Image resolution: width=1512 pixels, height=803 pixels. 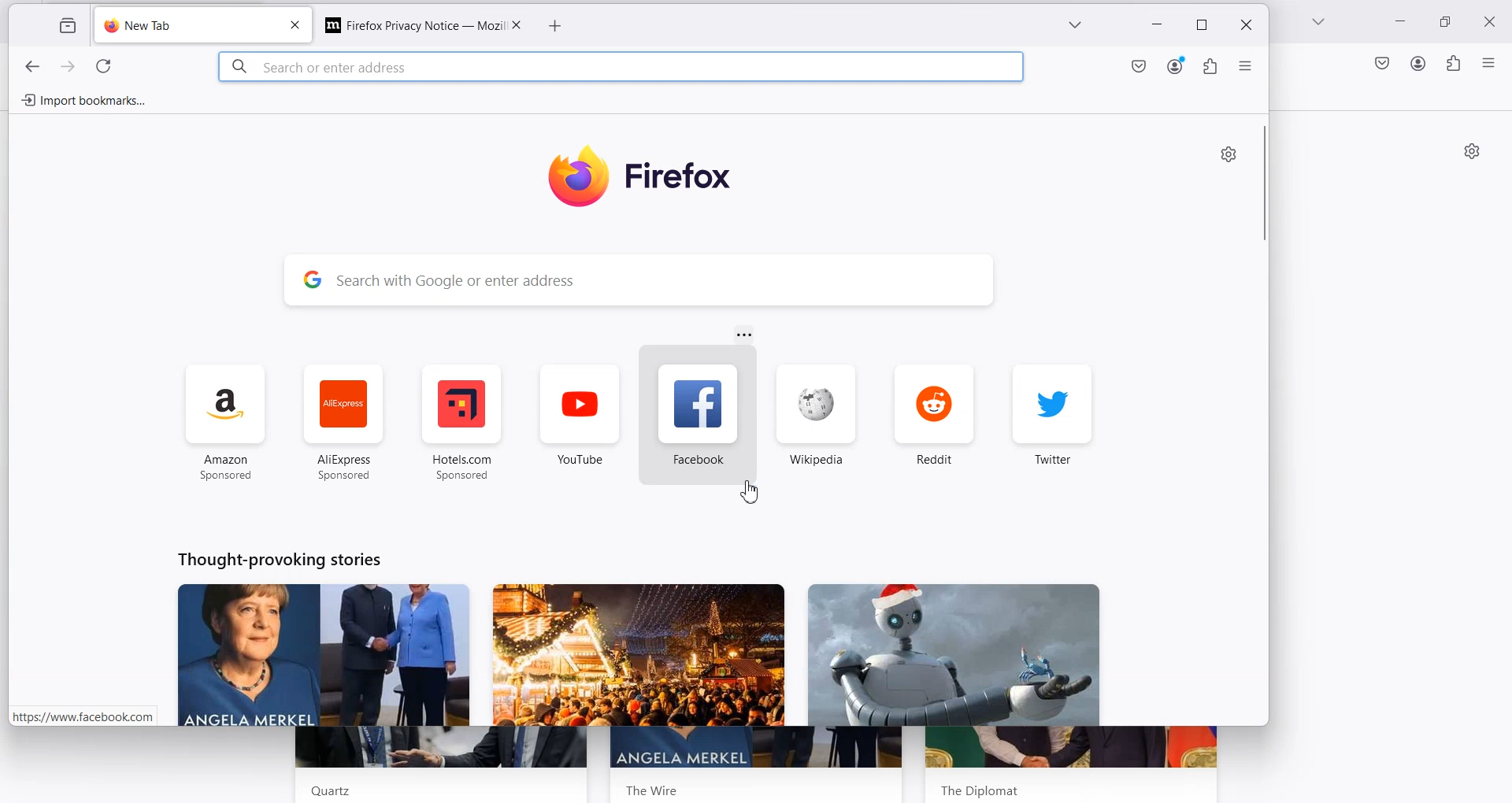 What do you see at coordinates (937, 418) in the screenshot?
I see `redit` at bounding box center [937, 418].